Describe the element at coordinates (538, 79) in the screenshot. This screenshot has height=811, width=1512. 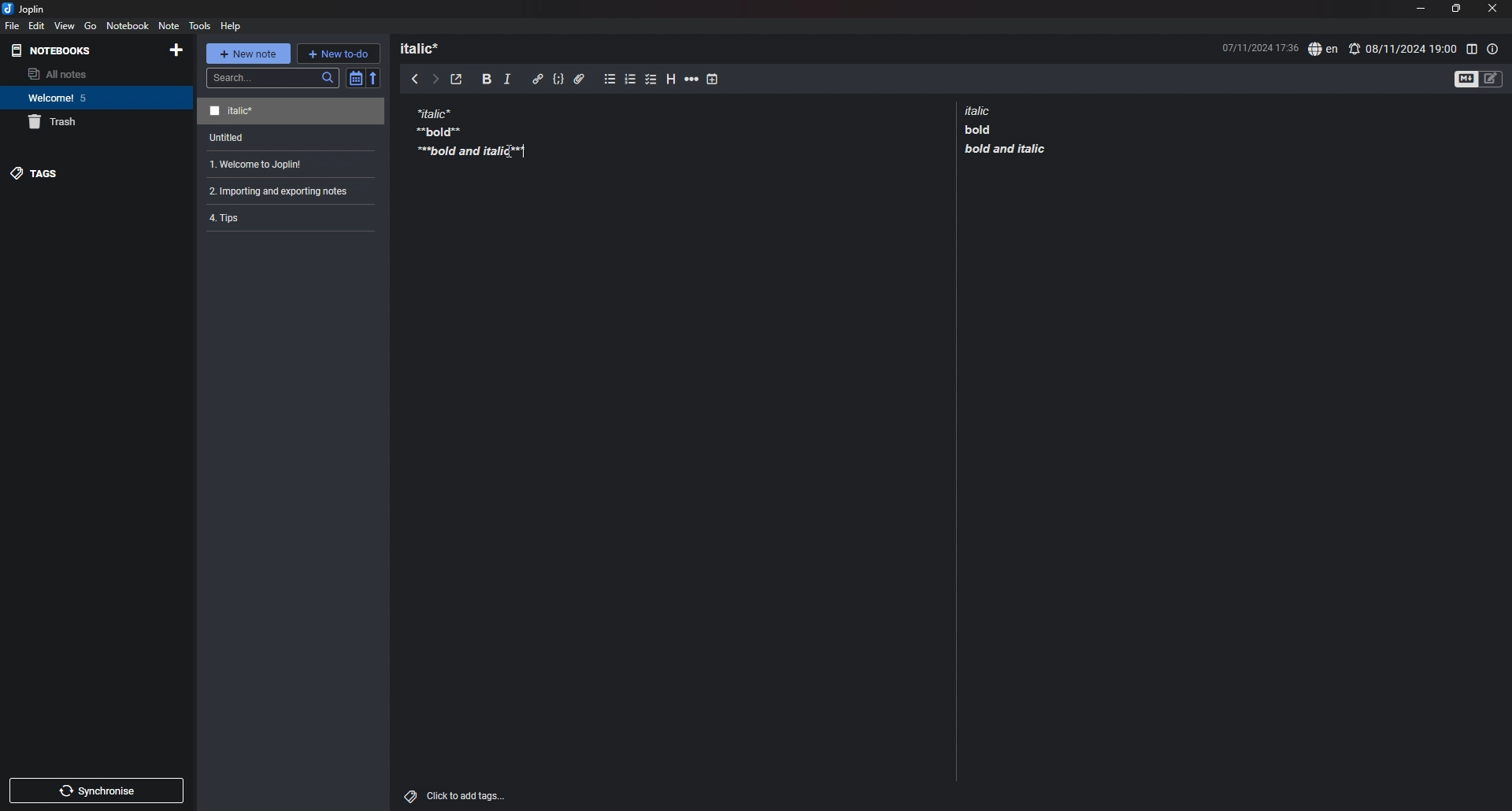
I see `hyperlink` at that location.